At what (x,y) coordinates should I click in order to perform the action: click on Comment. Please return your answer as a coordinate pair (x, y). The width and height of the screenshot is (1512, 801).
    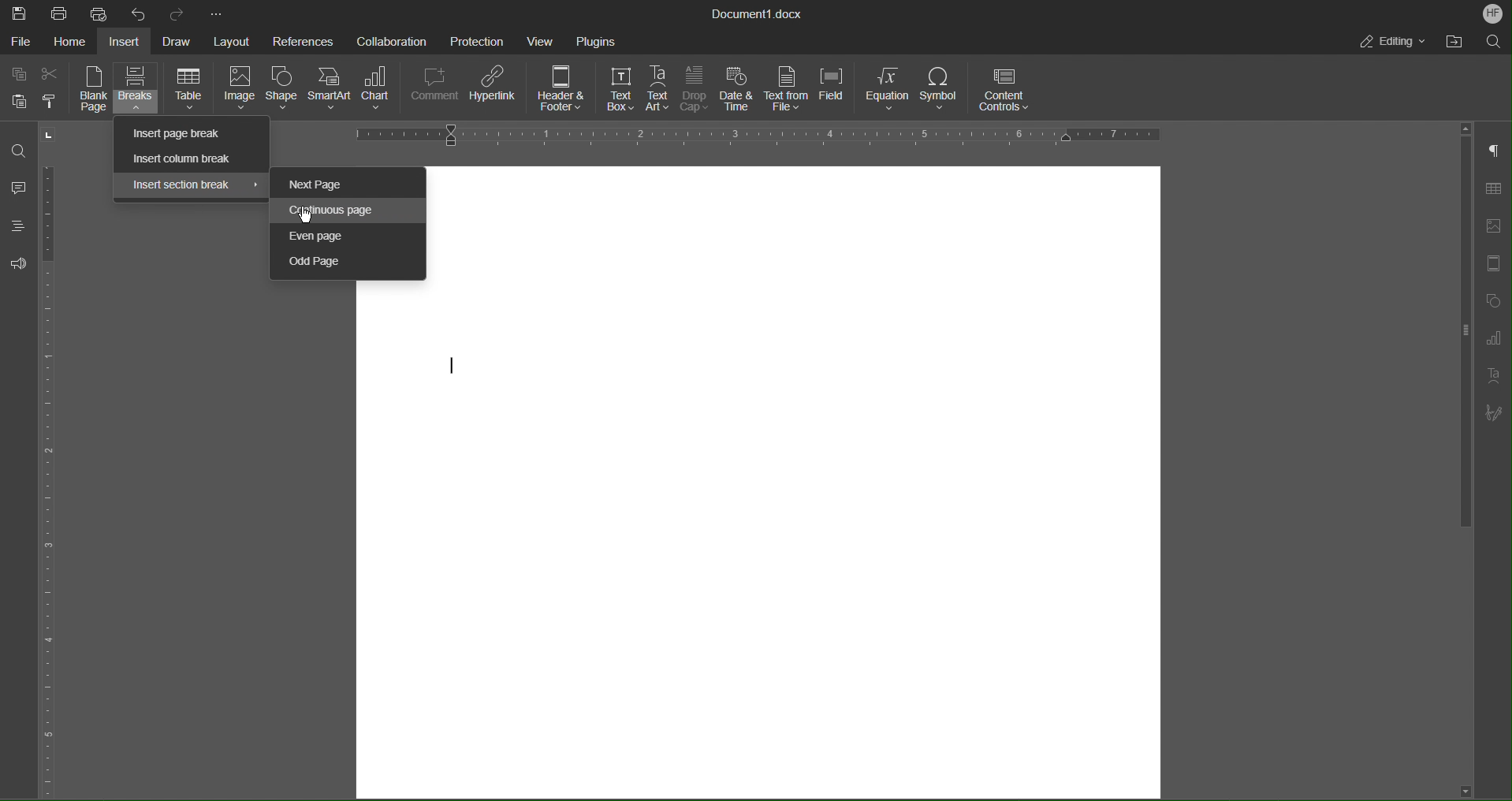
    Looking at the image, I should click on (434, 89).